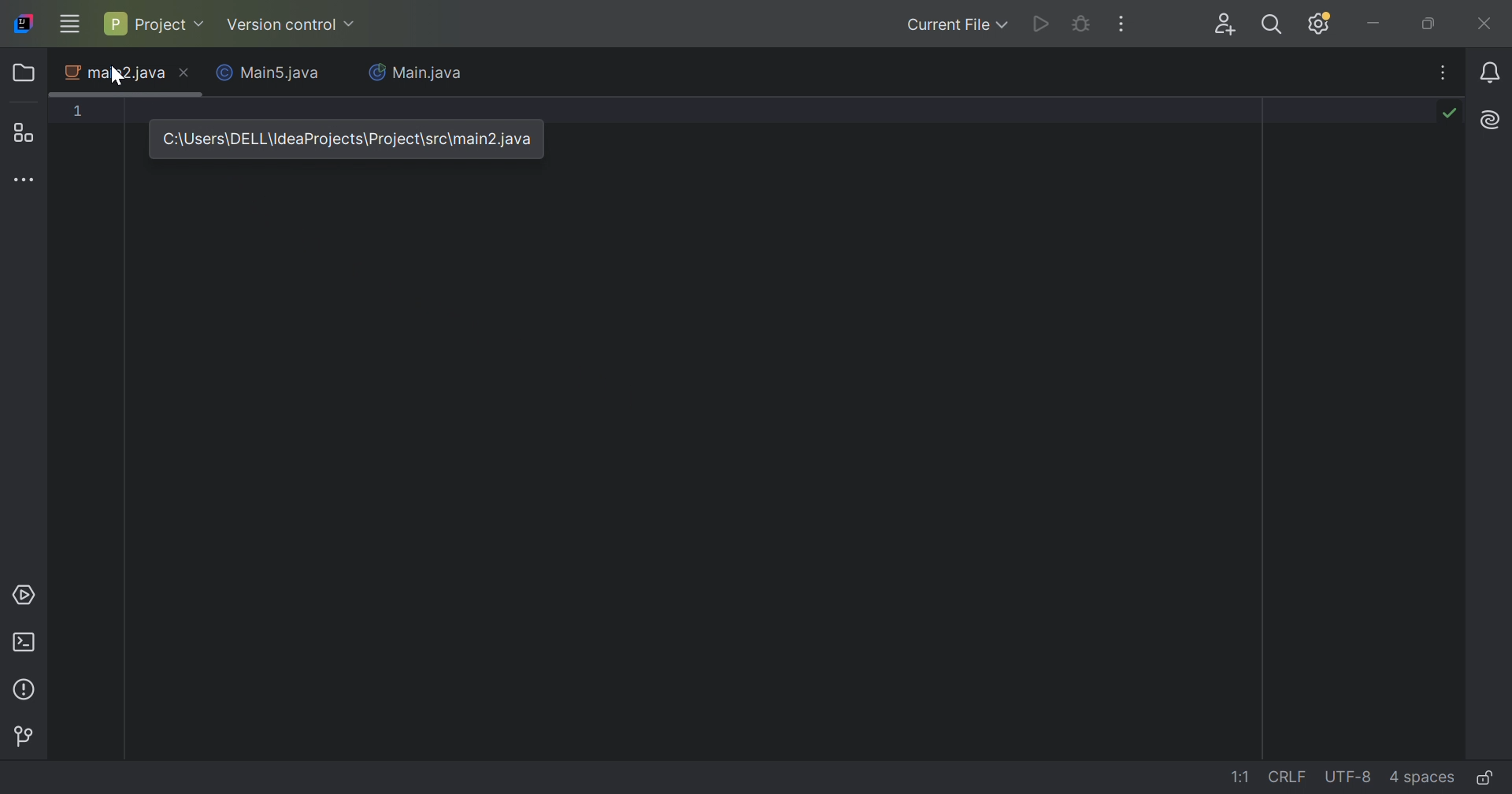 This screenshot has height=794, width=1512. I want to click on Close, so click(1486, 23).